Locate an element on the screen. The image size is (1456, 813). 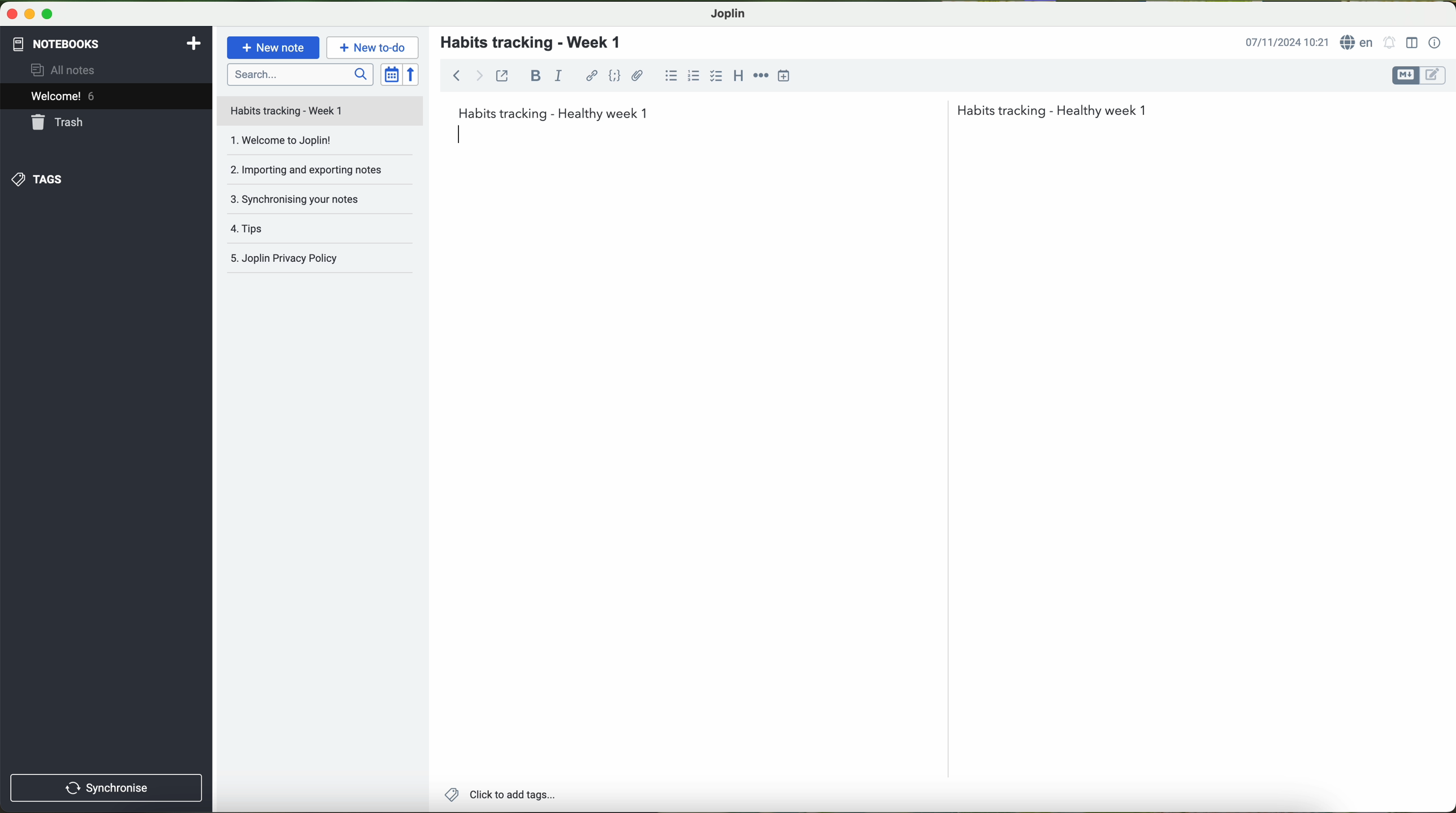
checkbox is located at coordinates (717, 77).